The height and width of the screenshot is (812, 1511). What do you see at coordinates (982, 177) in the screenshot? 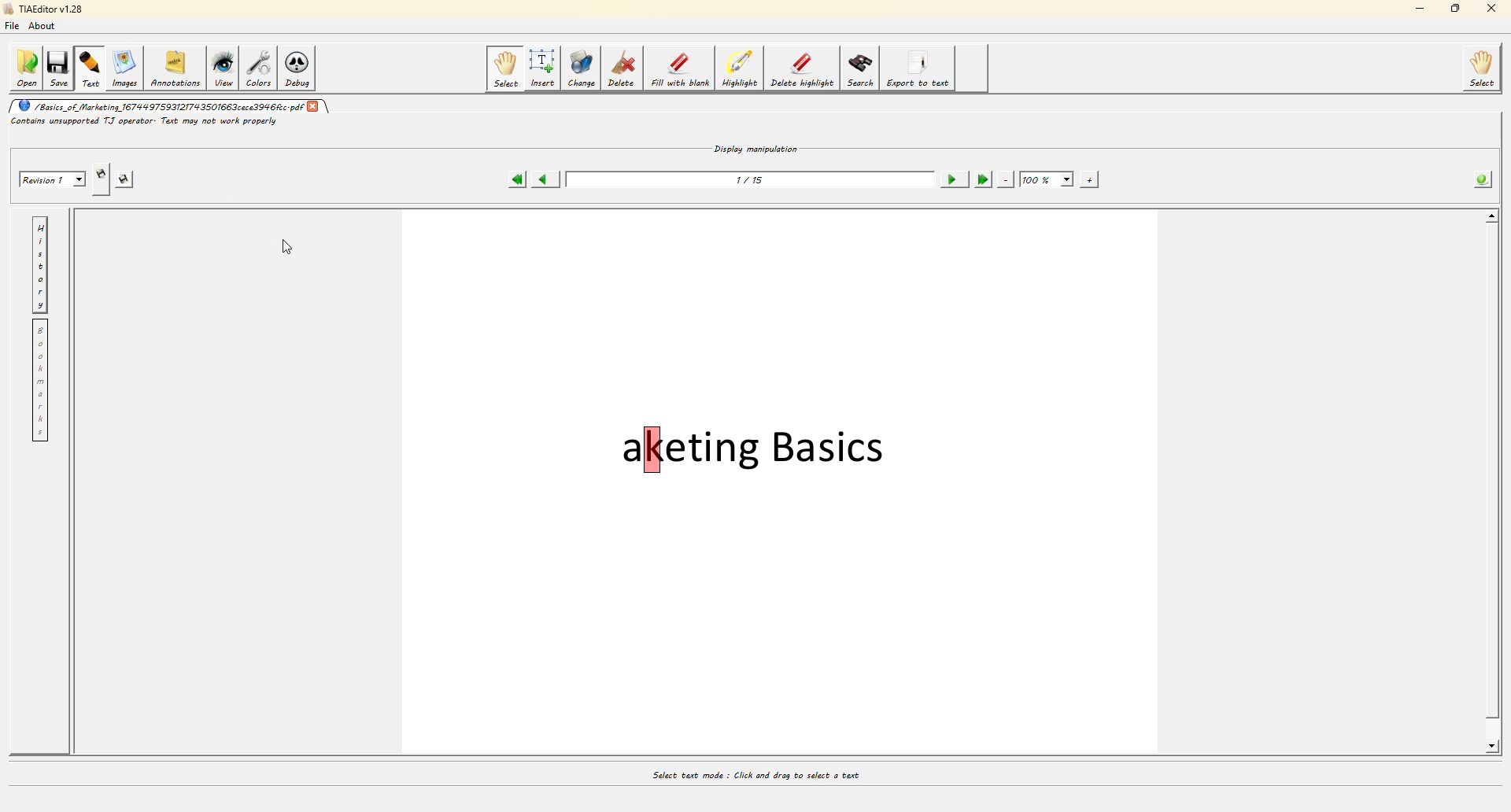
I see `last page` at bounding box center [982, 177].